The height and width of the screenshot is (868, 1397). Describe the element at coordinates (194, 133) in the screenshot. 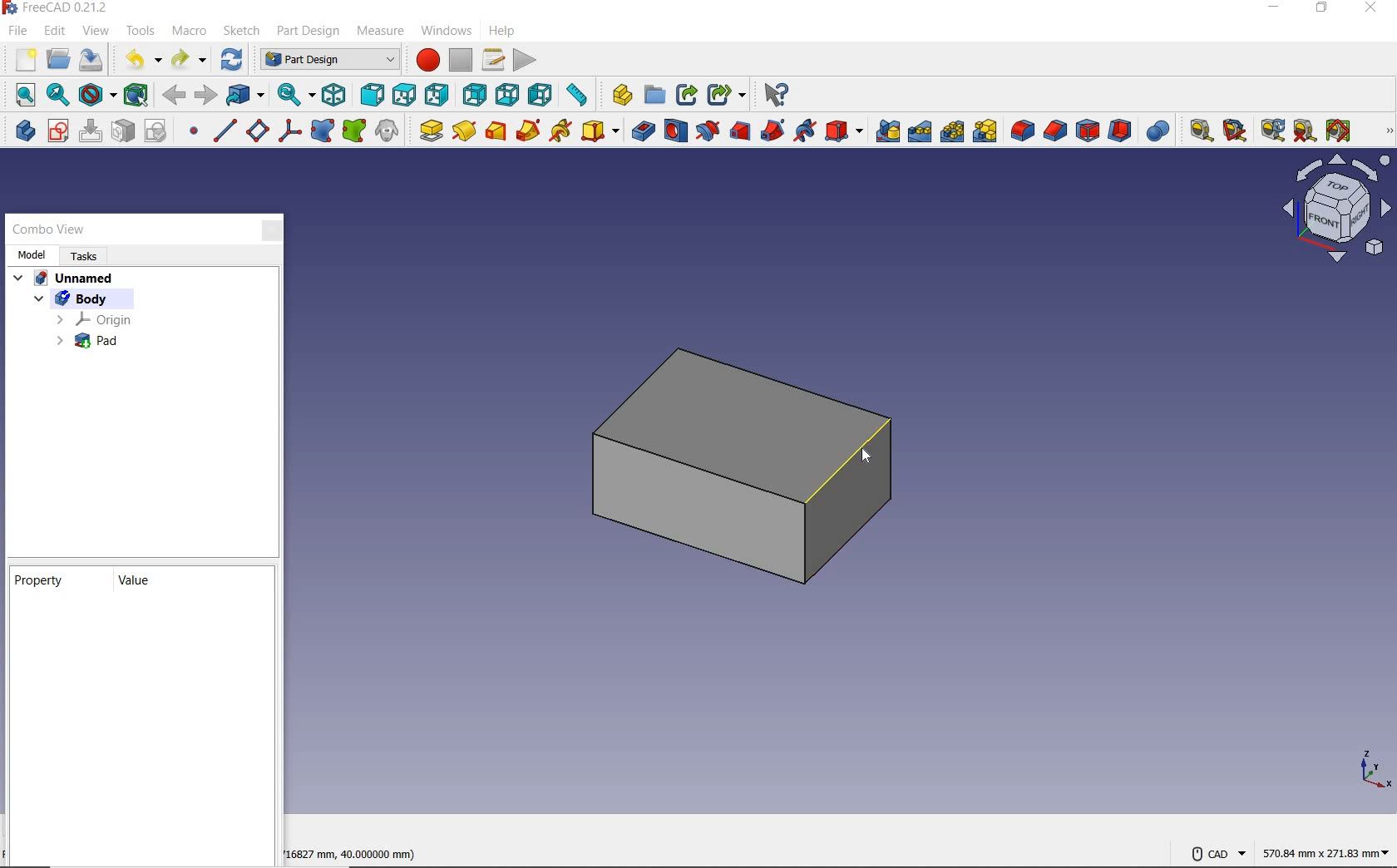

I see `create a datum point` at that location.